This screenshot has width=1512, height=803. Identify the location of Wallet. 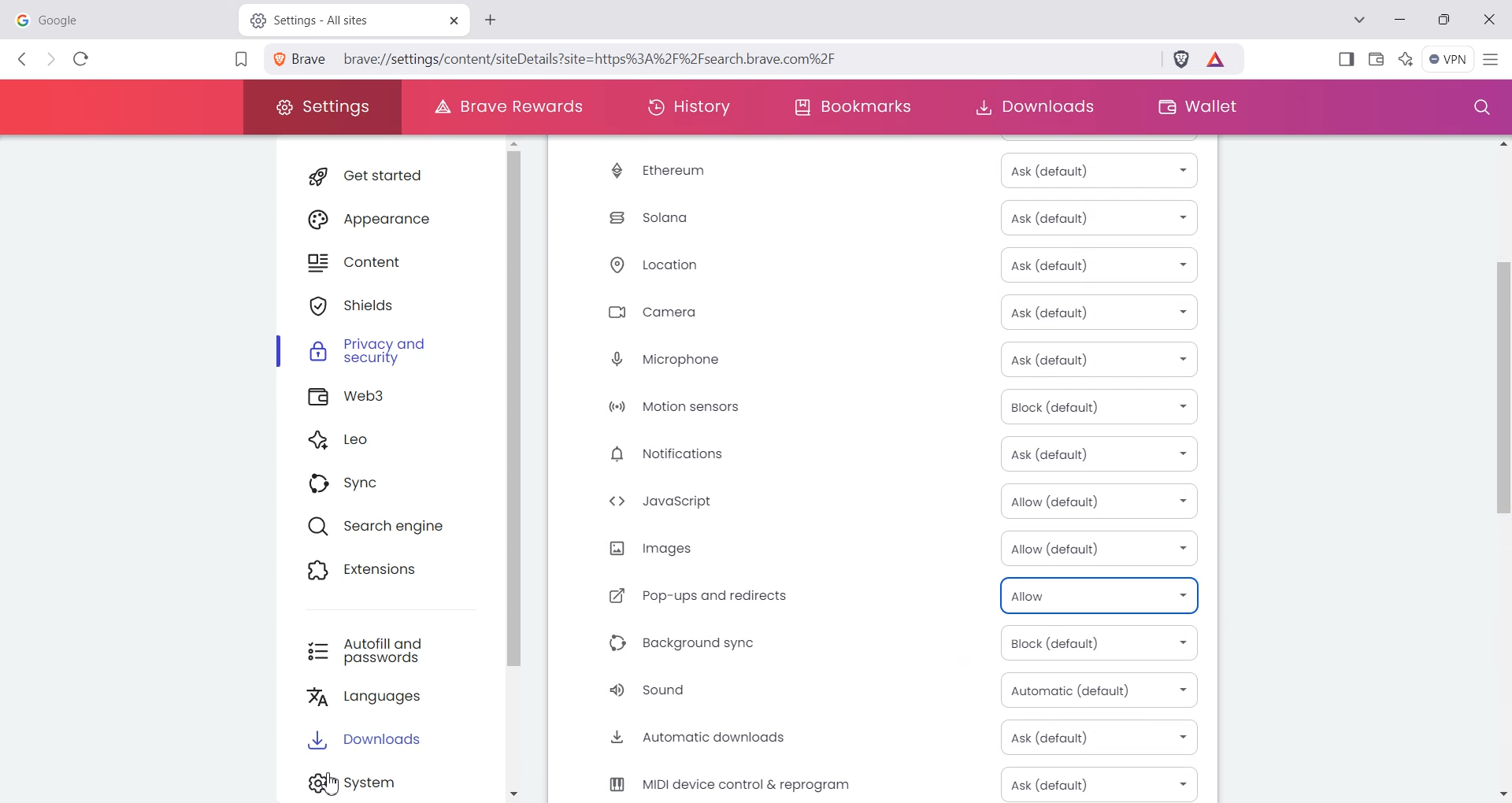
(1195, 107).